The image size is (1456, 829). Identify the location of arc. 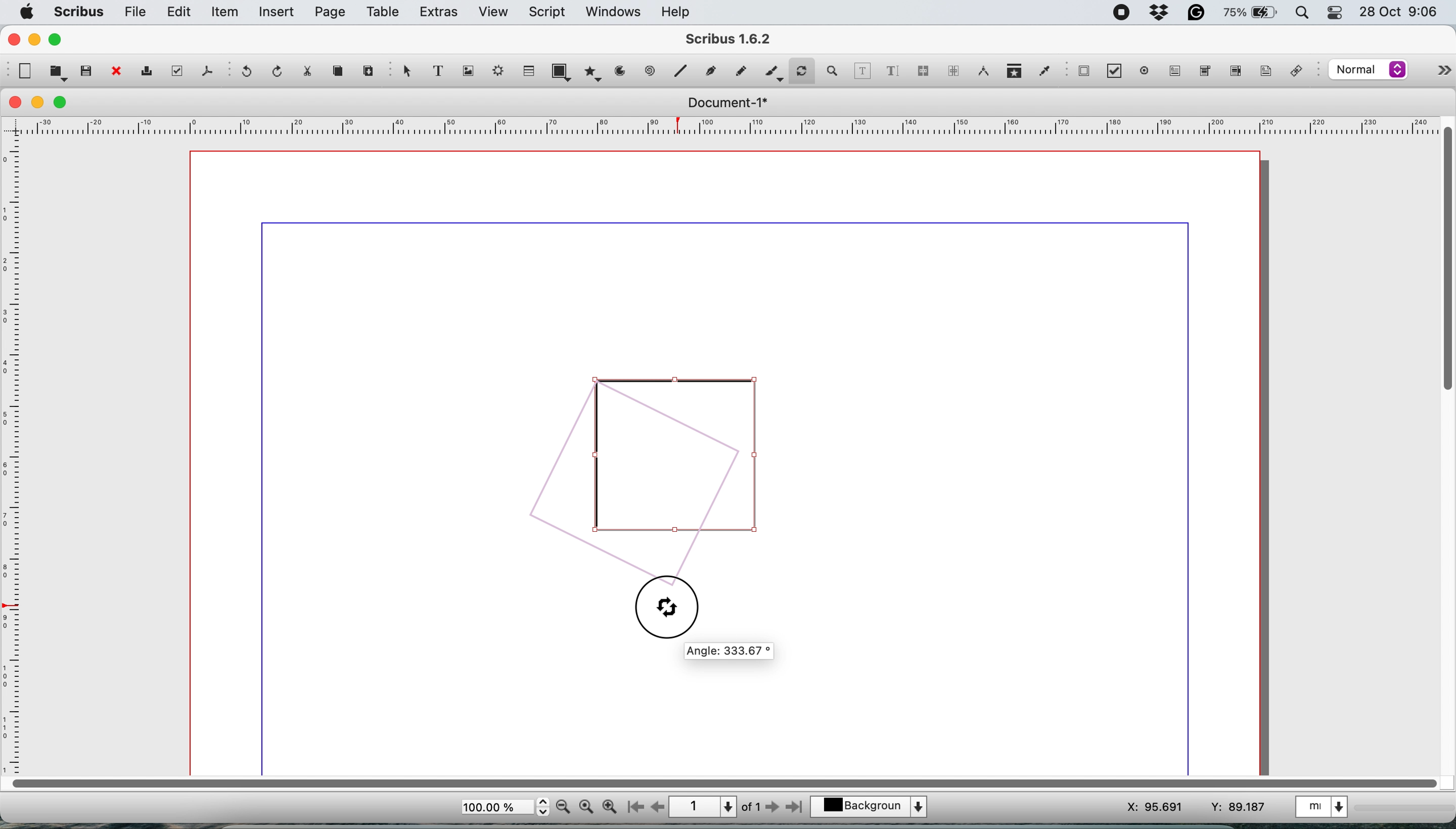
(619, 75).